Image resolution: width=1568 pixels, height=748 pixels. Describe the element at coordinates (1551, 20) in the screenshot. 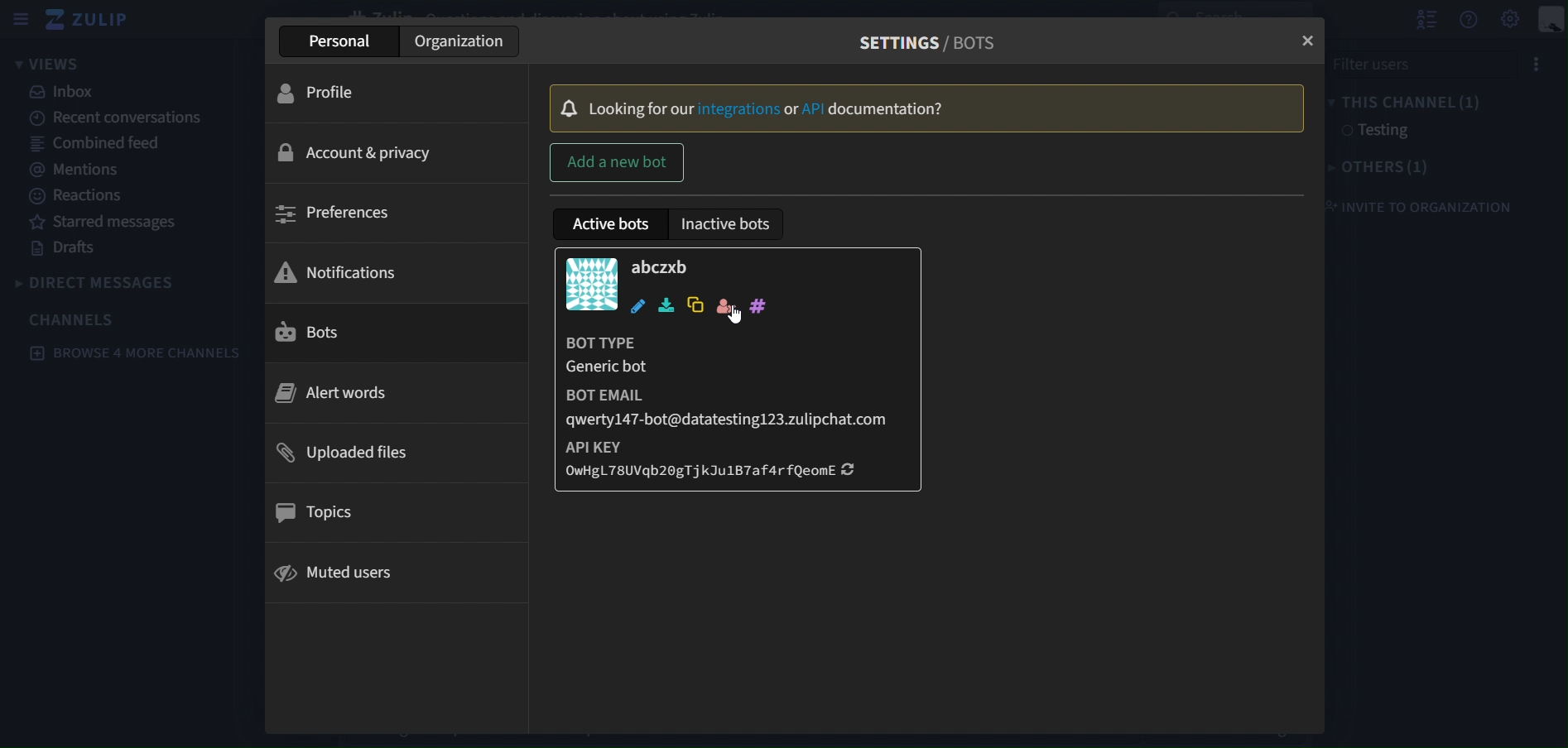

I see `personal menu` at that location.